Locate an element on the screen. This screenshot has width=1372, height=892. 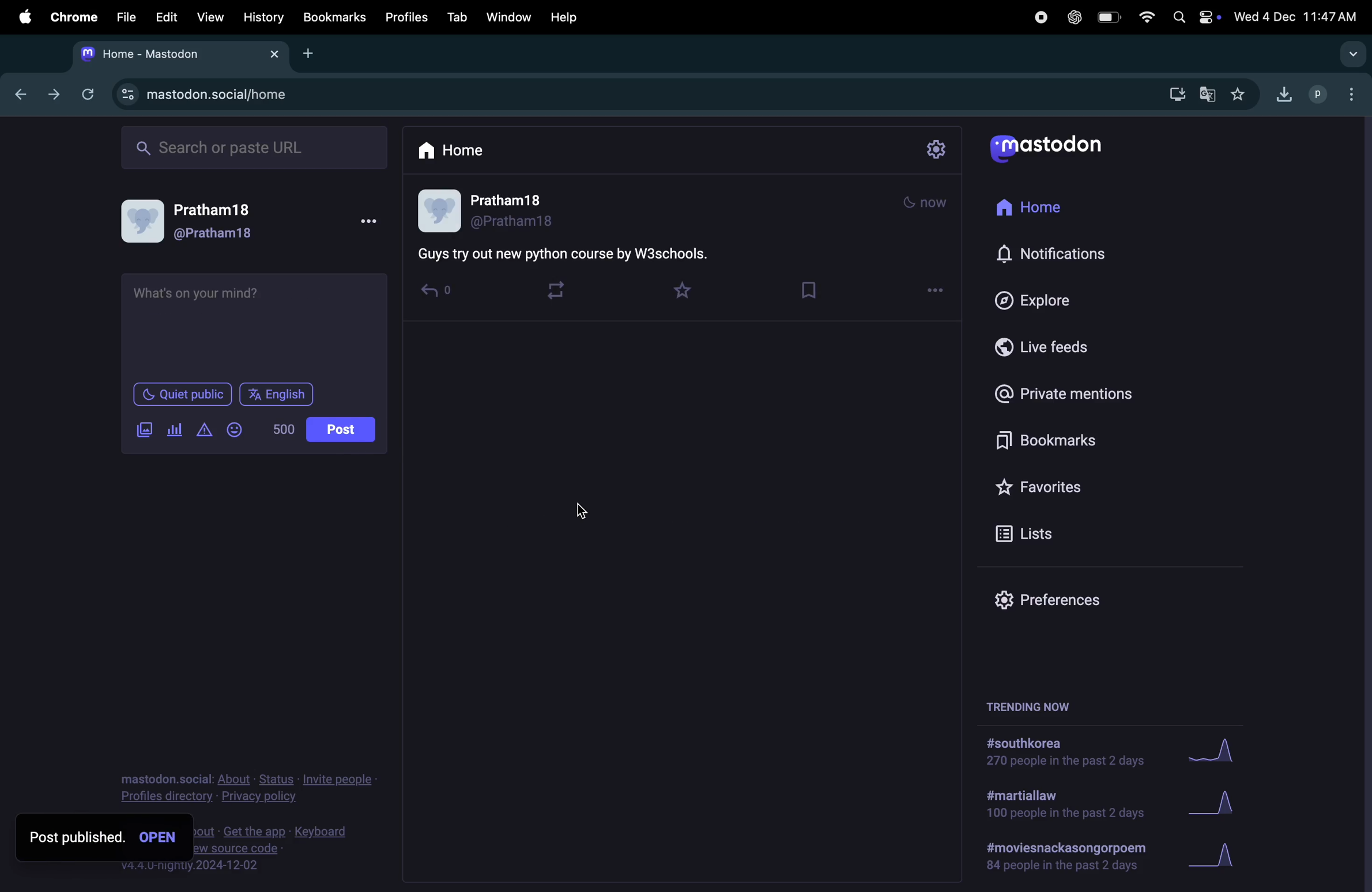
No of words is located at coordinates (282, 429).